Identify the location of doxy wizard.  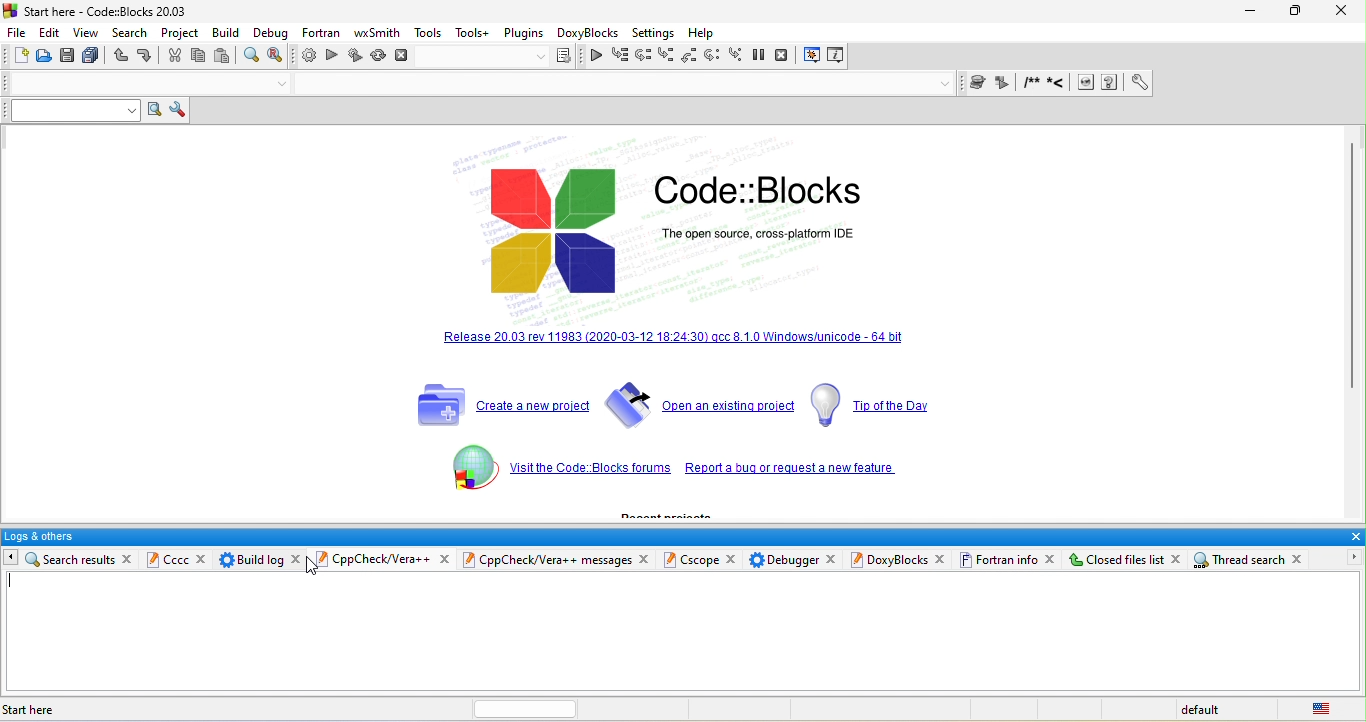
(980, 82).